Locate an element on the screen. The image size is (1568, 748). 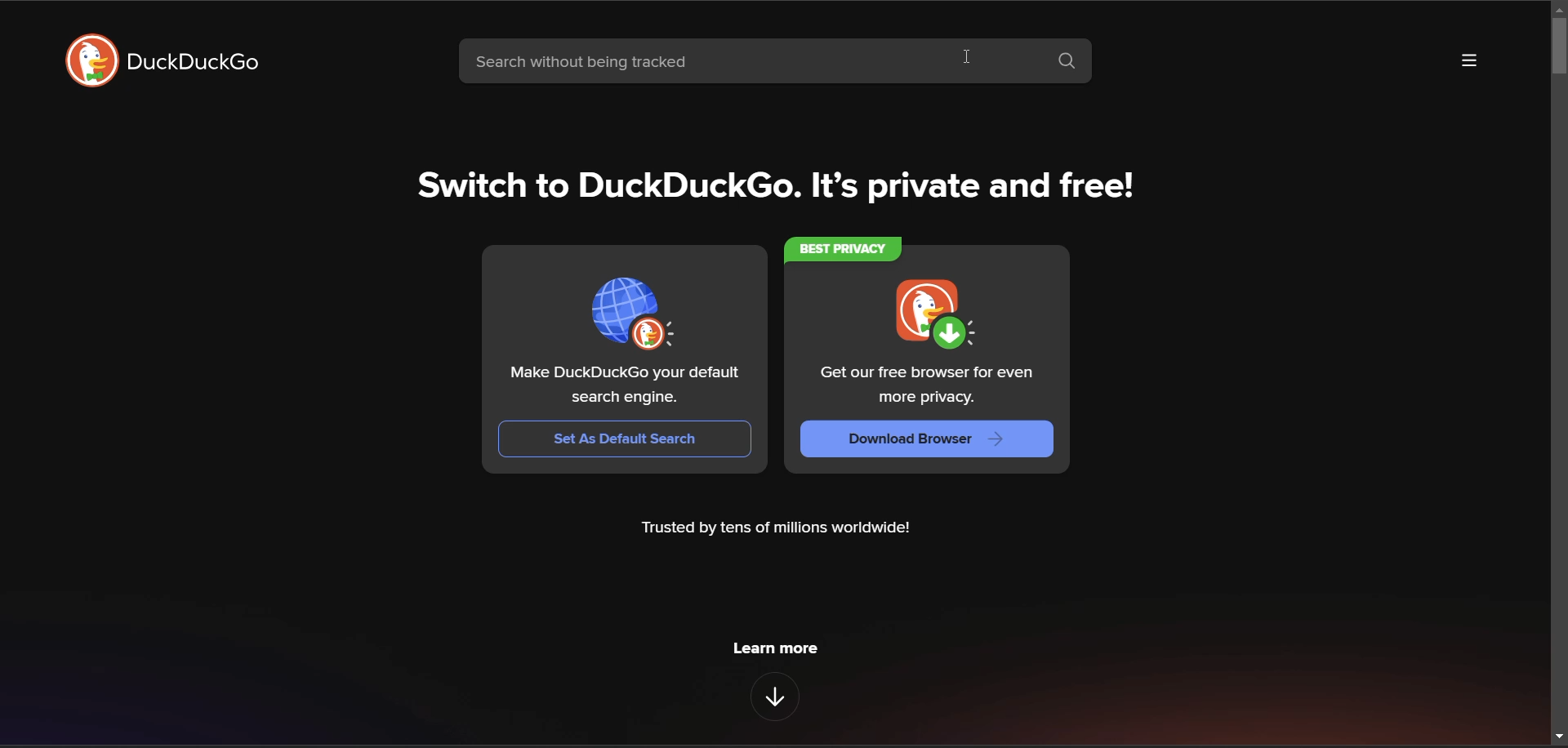
Set As Default Search is located at coordinates (624, 439).